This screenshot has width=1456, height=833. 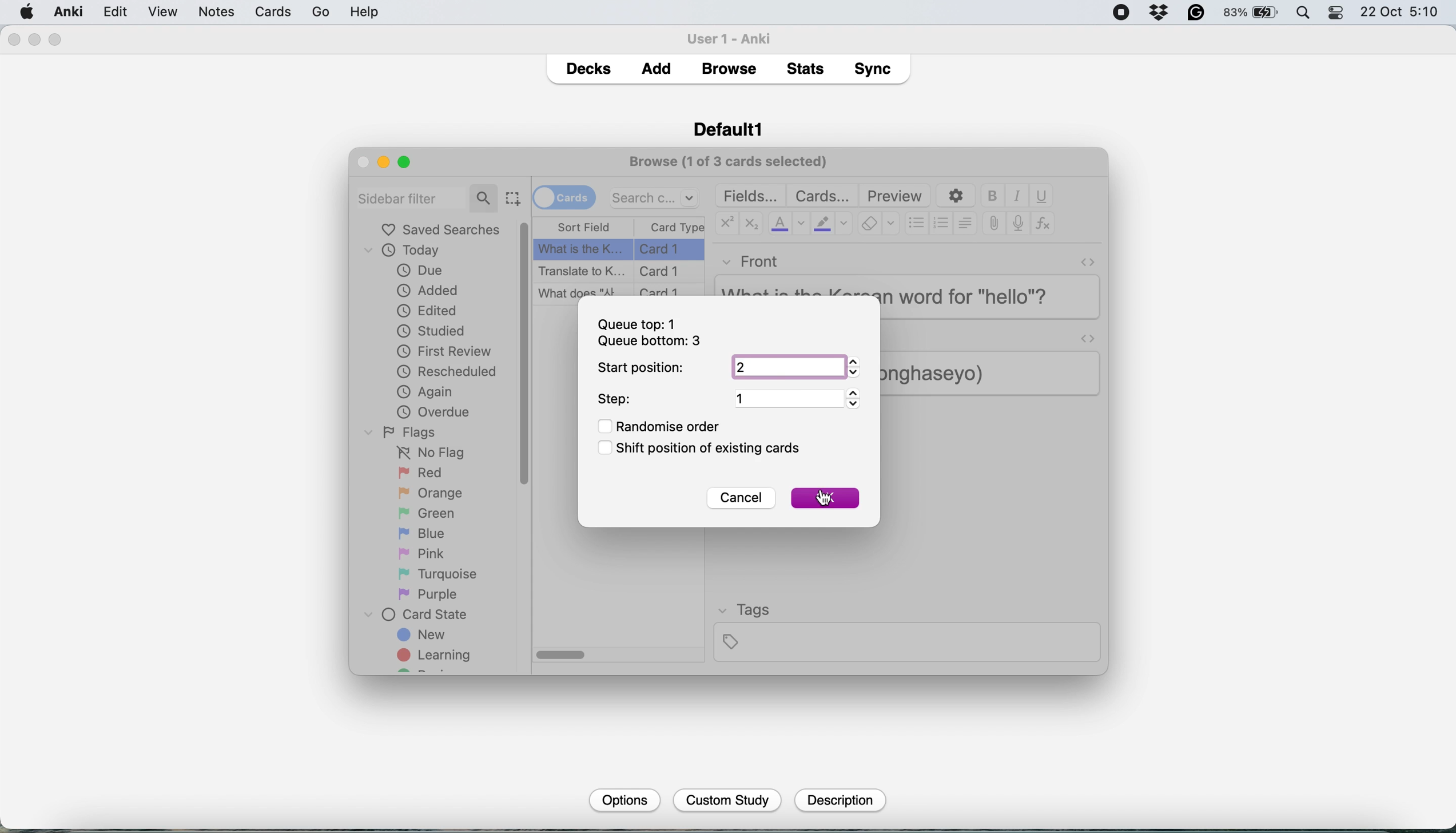 What do you see at coordinates (728, 128) in the screenshot?
I see `Default 1` at bounding box center [728, 128].